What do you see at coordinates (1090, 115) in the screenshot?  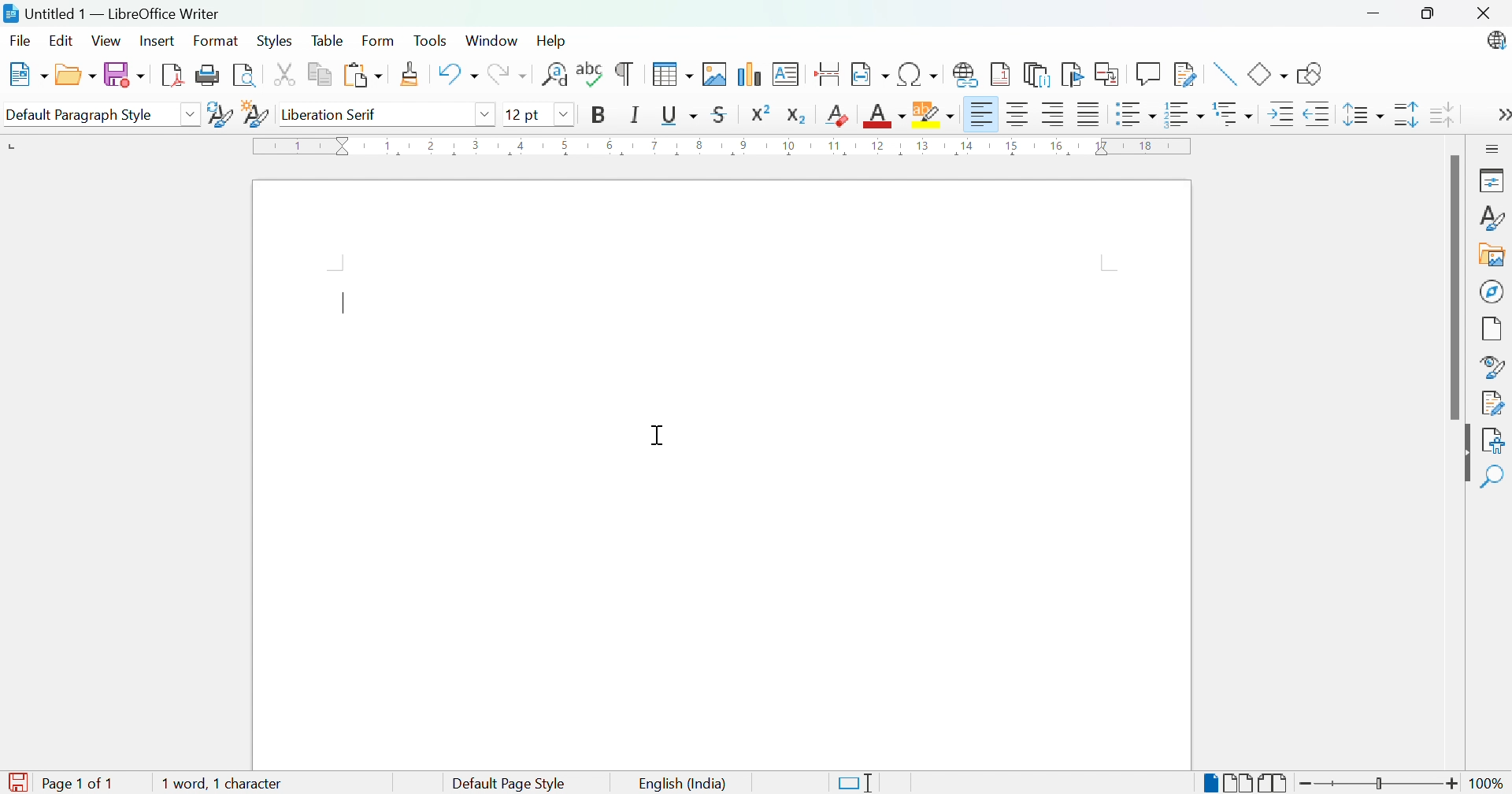 I see `Justified` at bounding box center [1090, 115].